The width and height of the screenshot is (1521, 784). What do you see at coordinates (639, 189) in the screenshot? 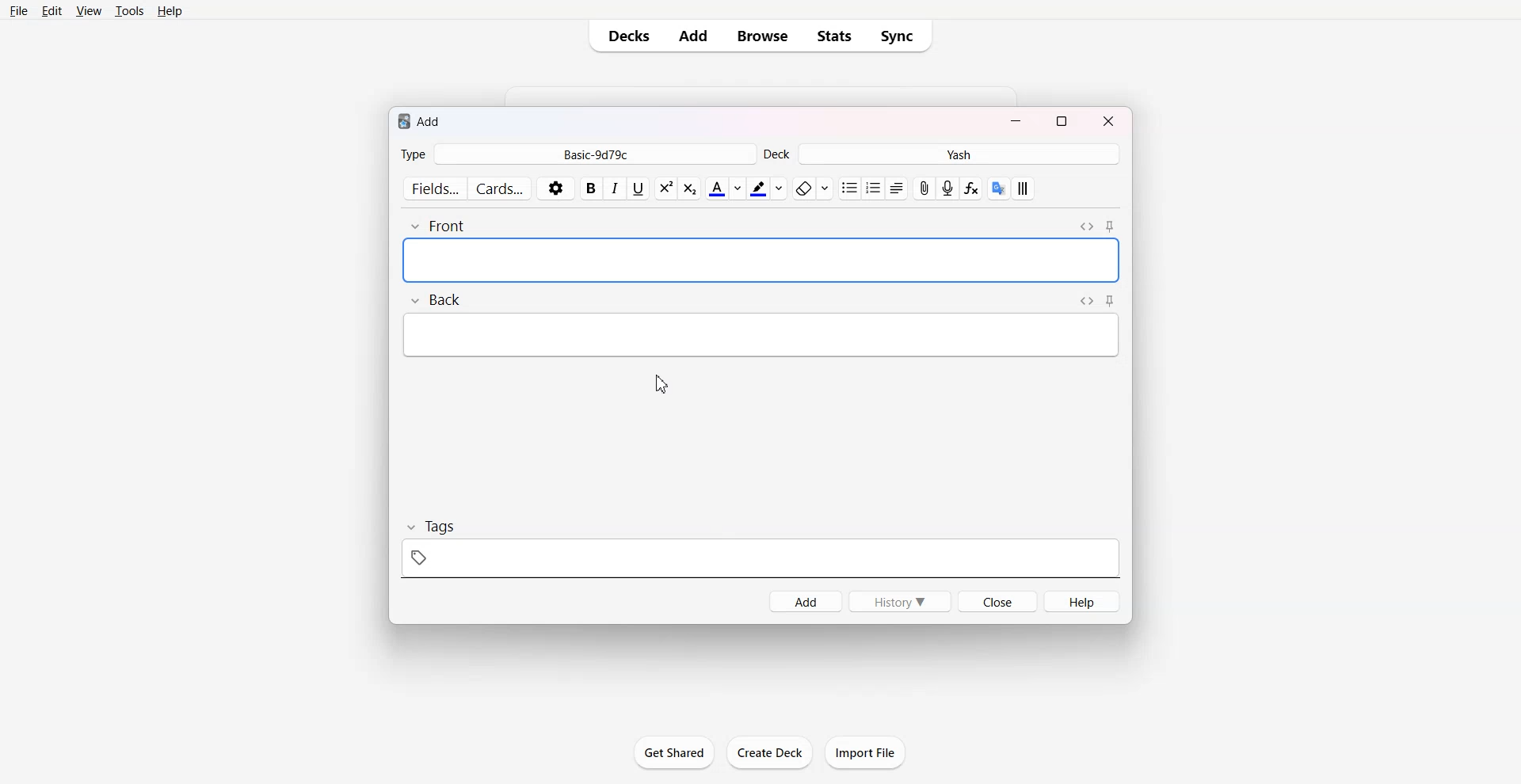
I see `Underline` at bounding box center [639, 189].